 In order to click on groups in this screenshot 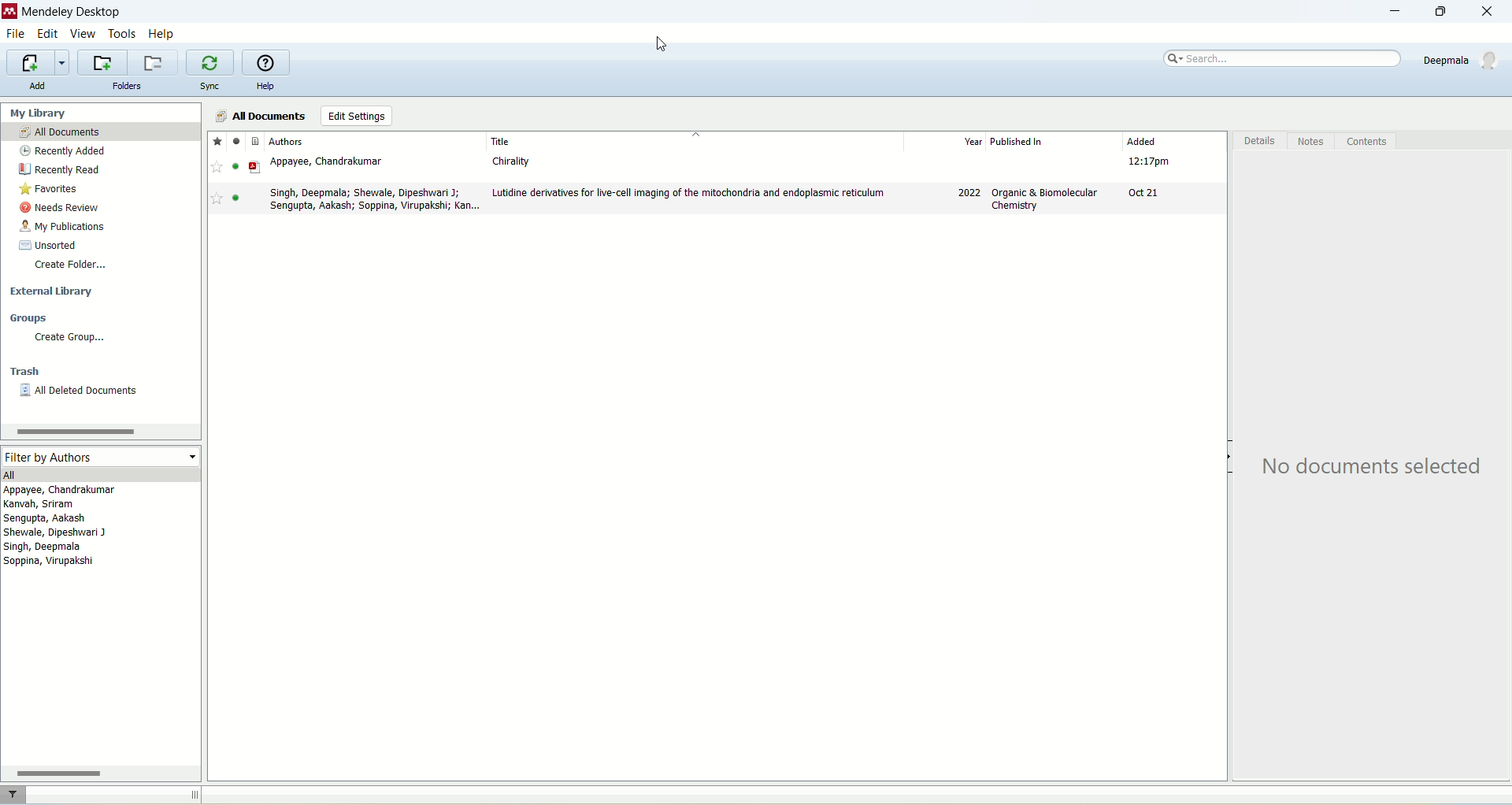, I will do `click(30, 317)`.